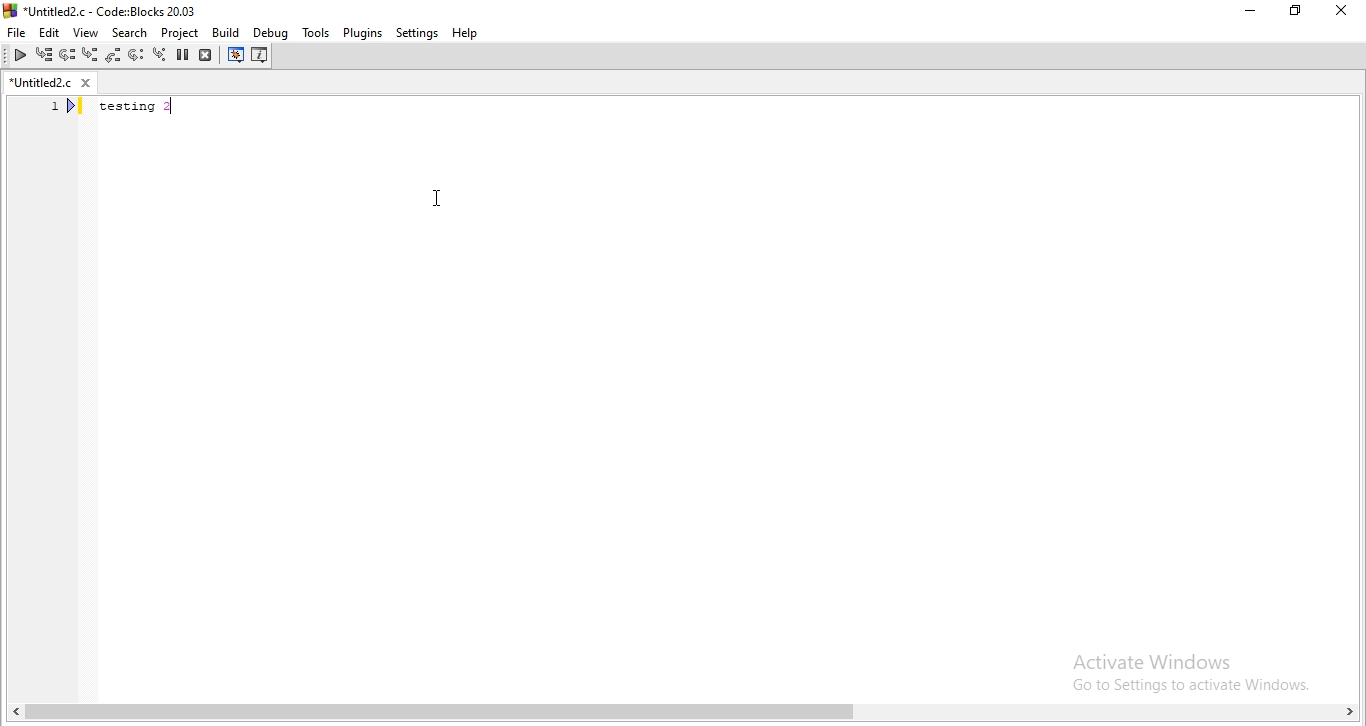  What do you see at coordinates (74, 108) in the screenshot?
I see `bookmark icon` at bounding box center [74, 108].